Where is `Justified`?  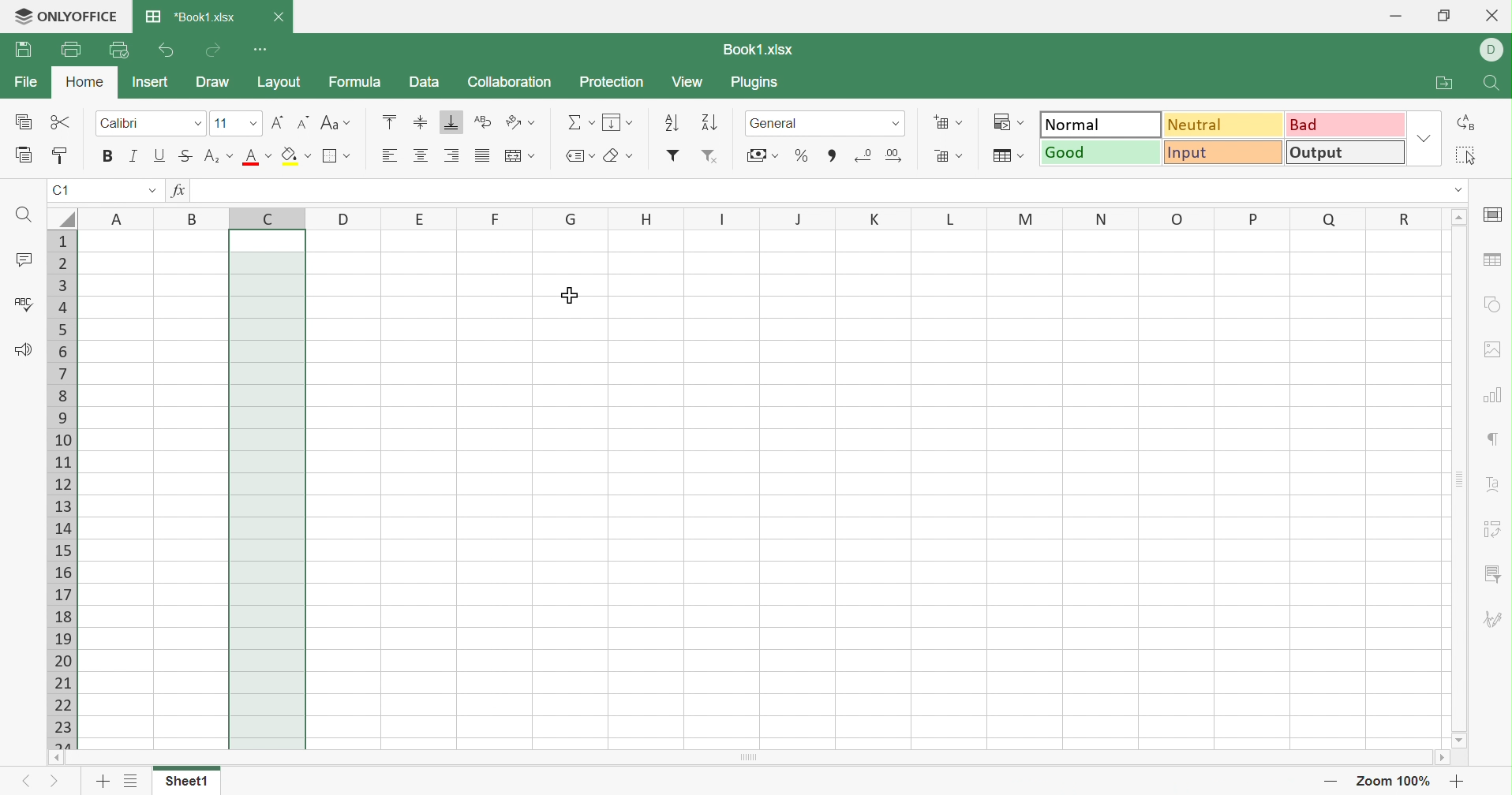
Justified is located at coordinates (480, 155).